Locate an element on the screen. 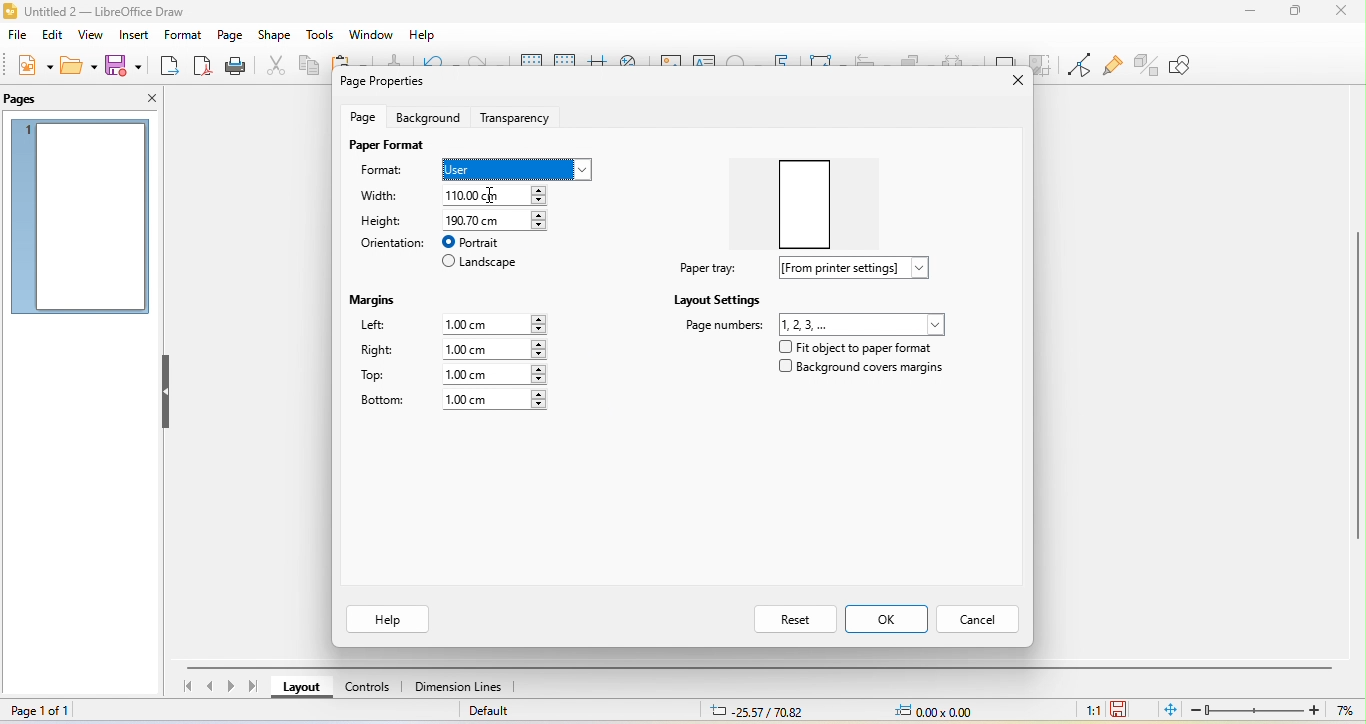 This screenshot has height=724, width=1366. right is located at coordinates (378, 352).